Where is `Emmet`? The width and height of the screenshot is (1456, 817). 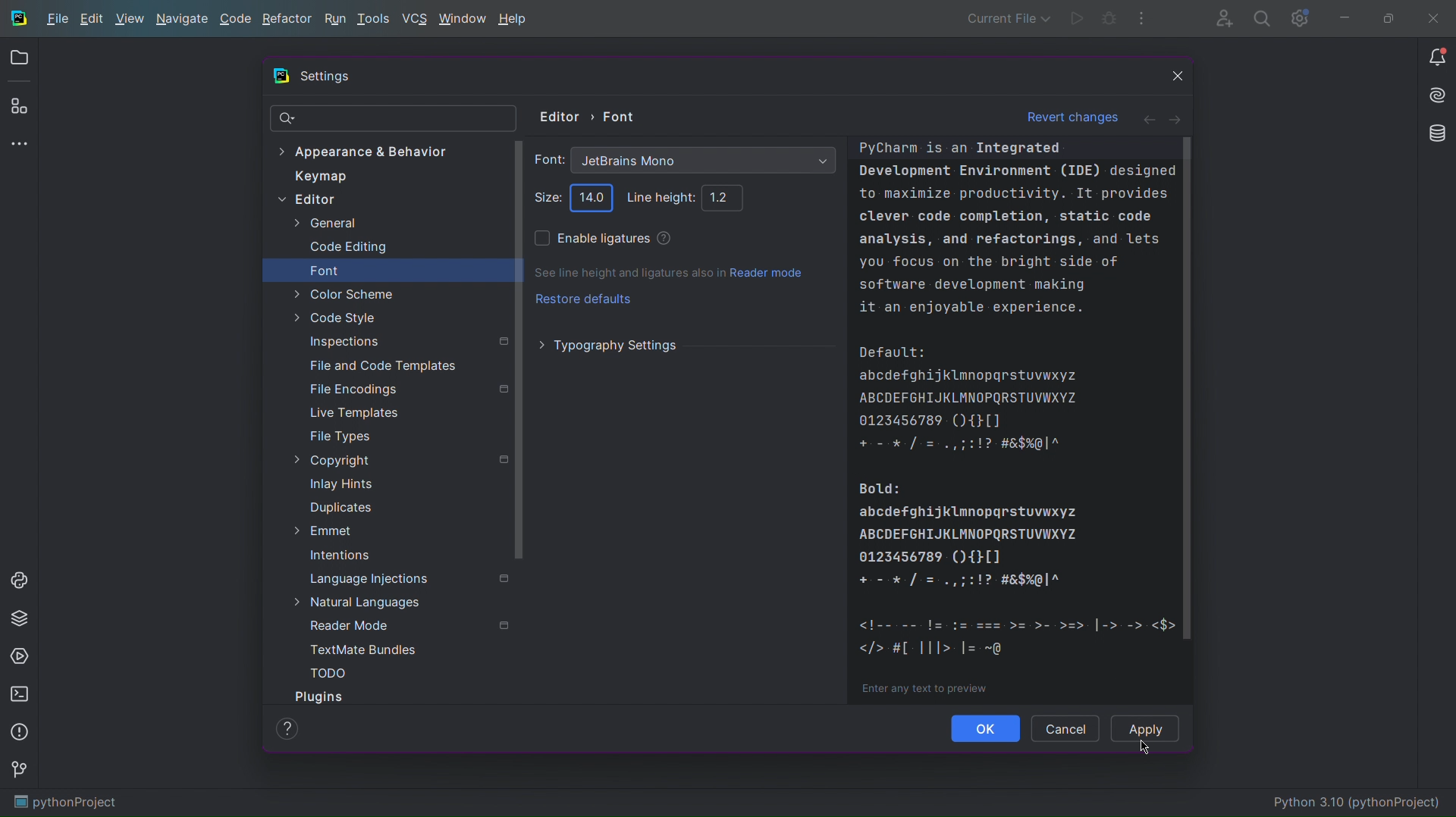 Emmet is located at coordinates (318, 531).